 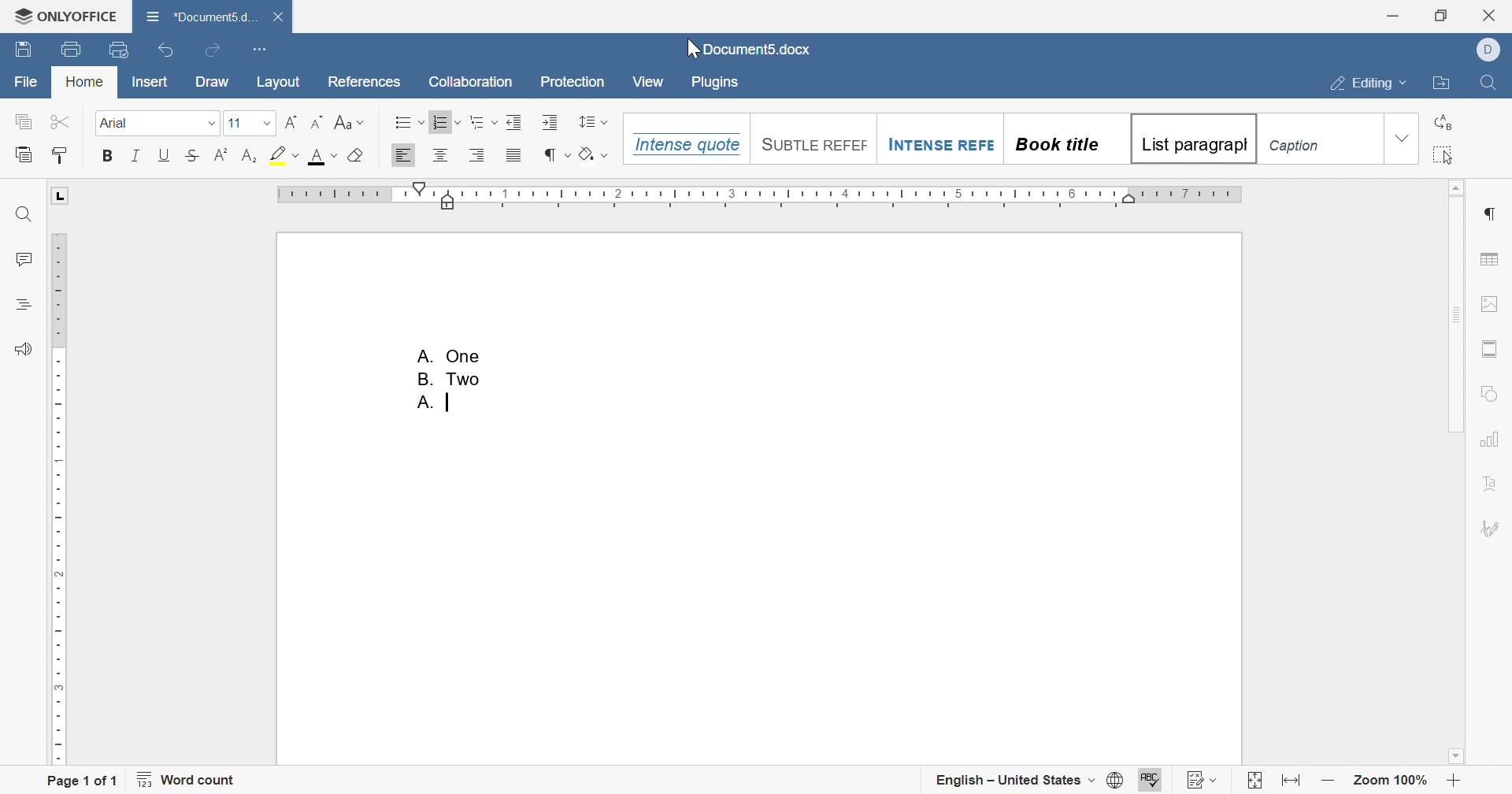 I want to click on paragraph settings, so click(x=1491, y=215).